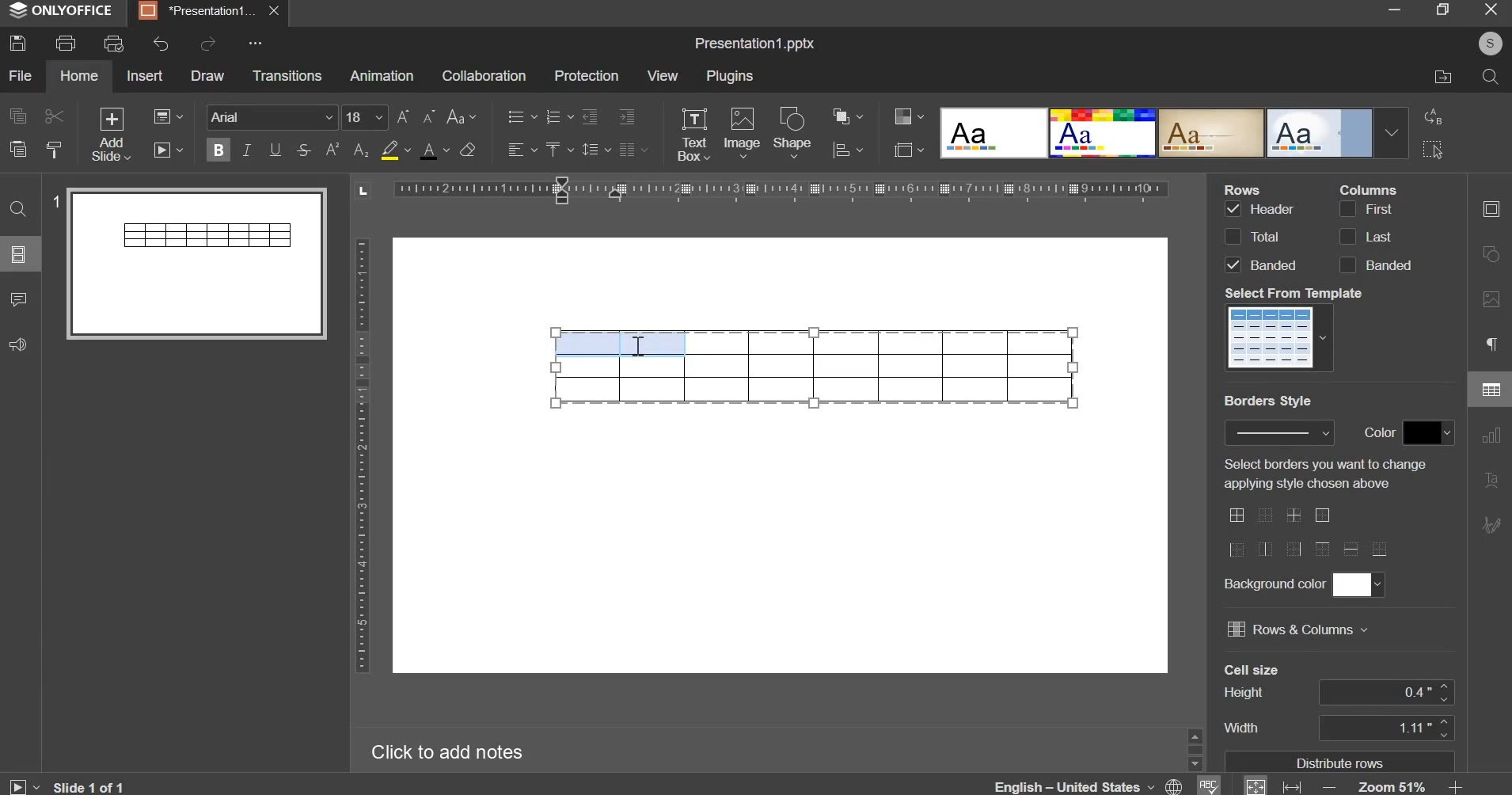 This screenshot has width=1512, height=795. I want to click on copy, so click(18, 115).